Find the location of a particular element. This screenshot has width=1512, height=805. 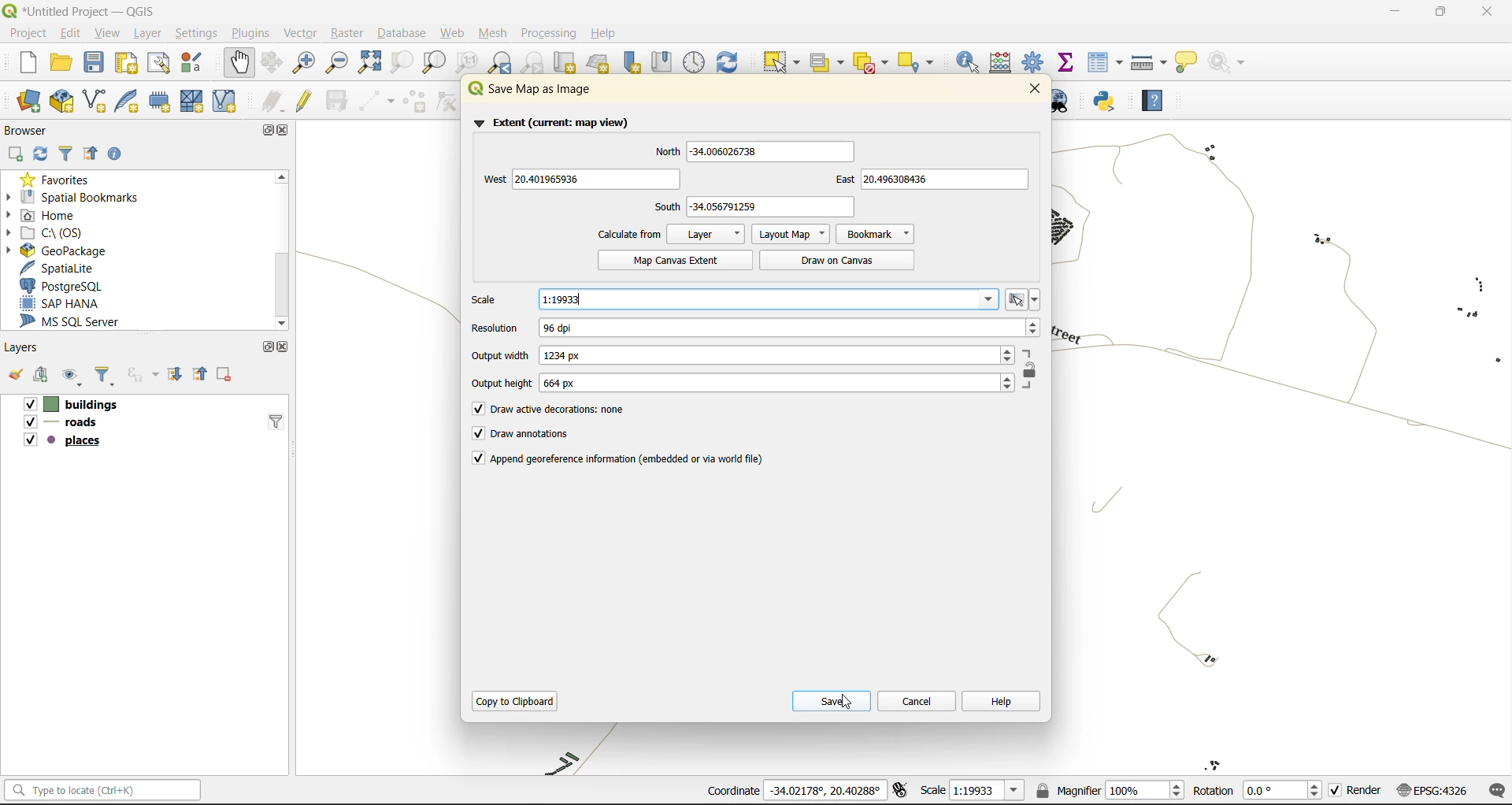

mesh is located at coordinates (491, 35).